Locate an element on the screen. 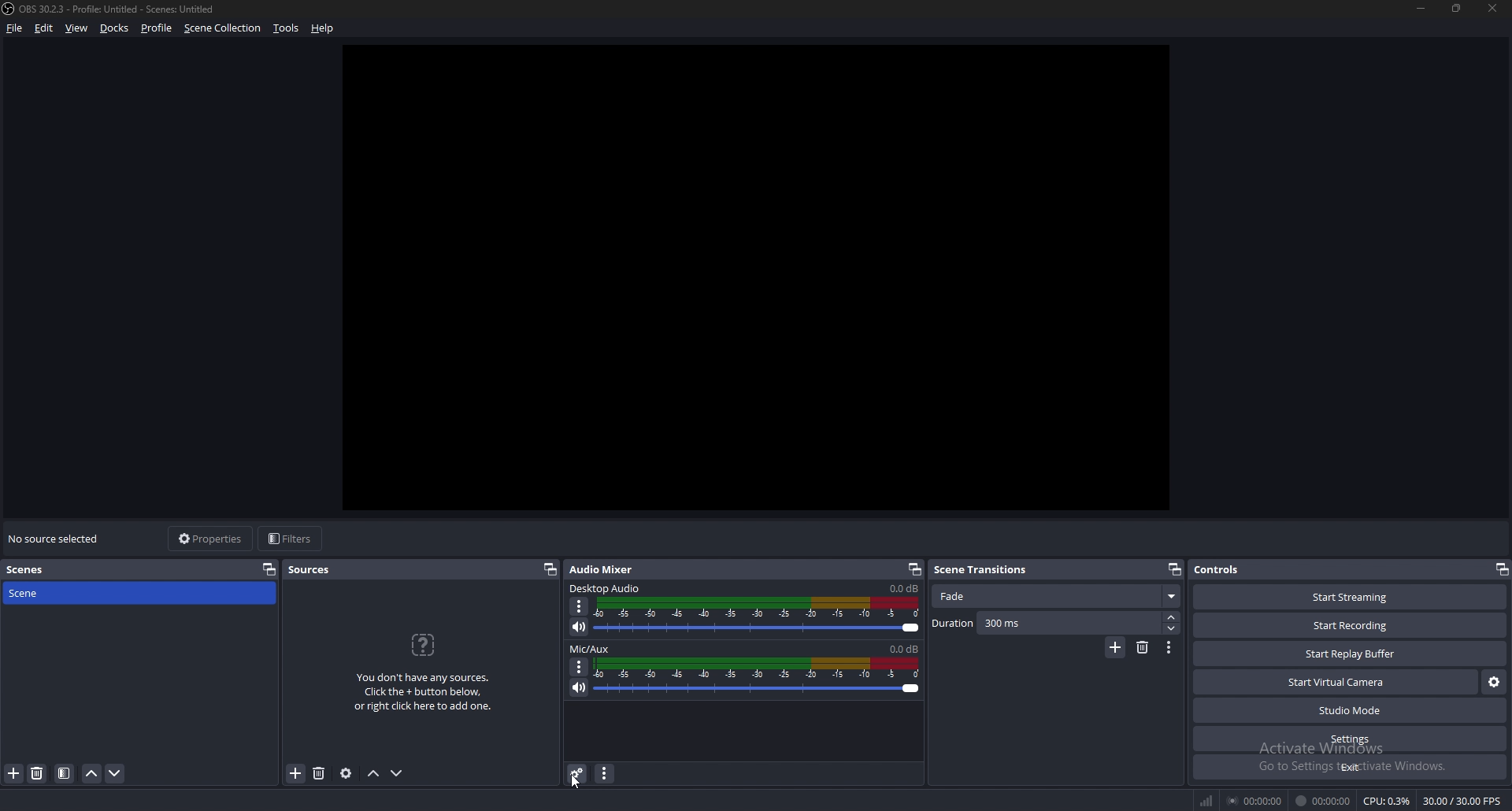 The image size is (1512, 811). advanced audio properties is located at coordinates (579, 774).